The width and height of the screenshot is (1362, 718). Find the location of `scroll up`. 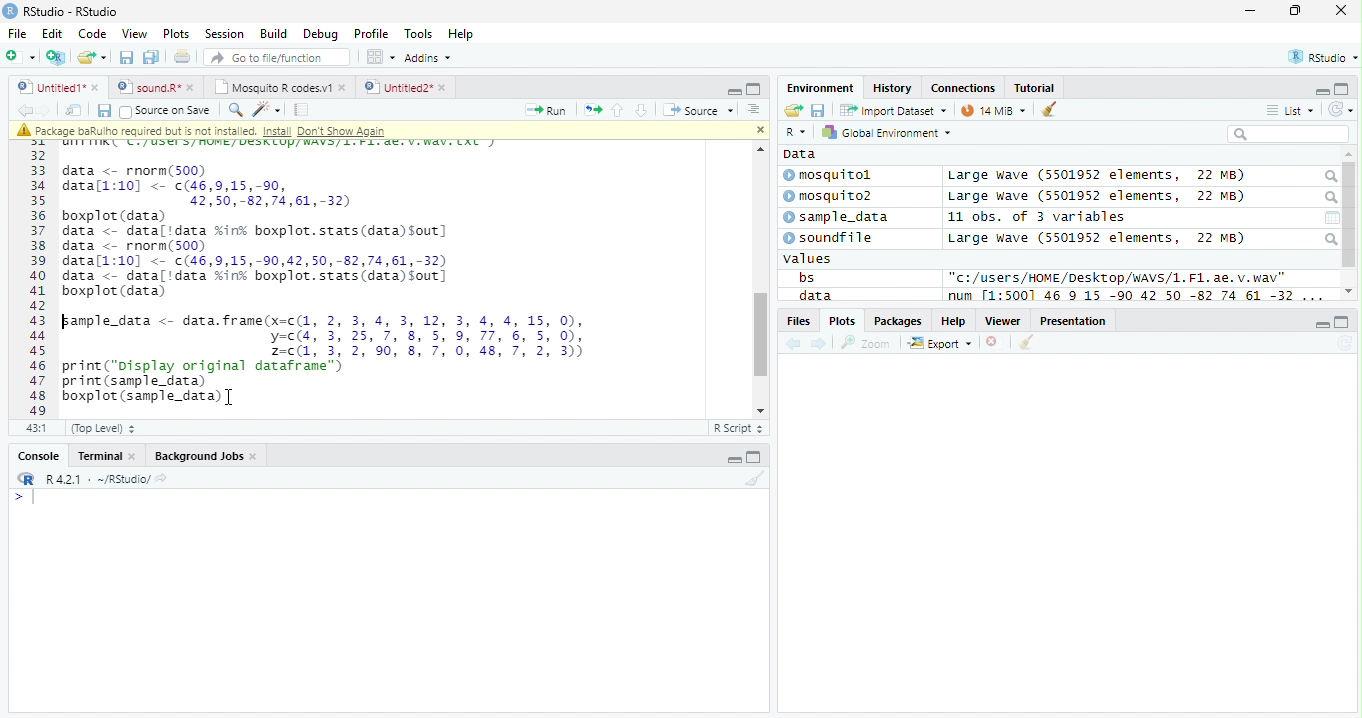

scroll up is located at coordinates (758, 149).